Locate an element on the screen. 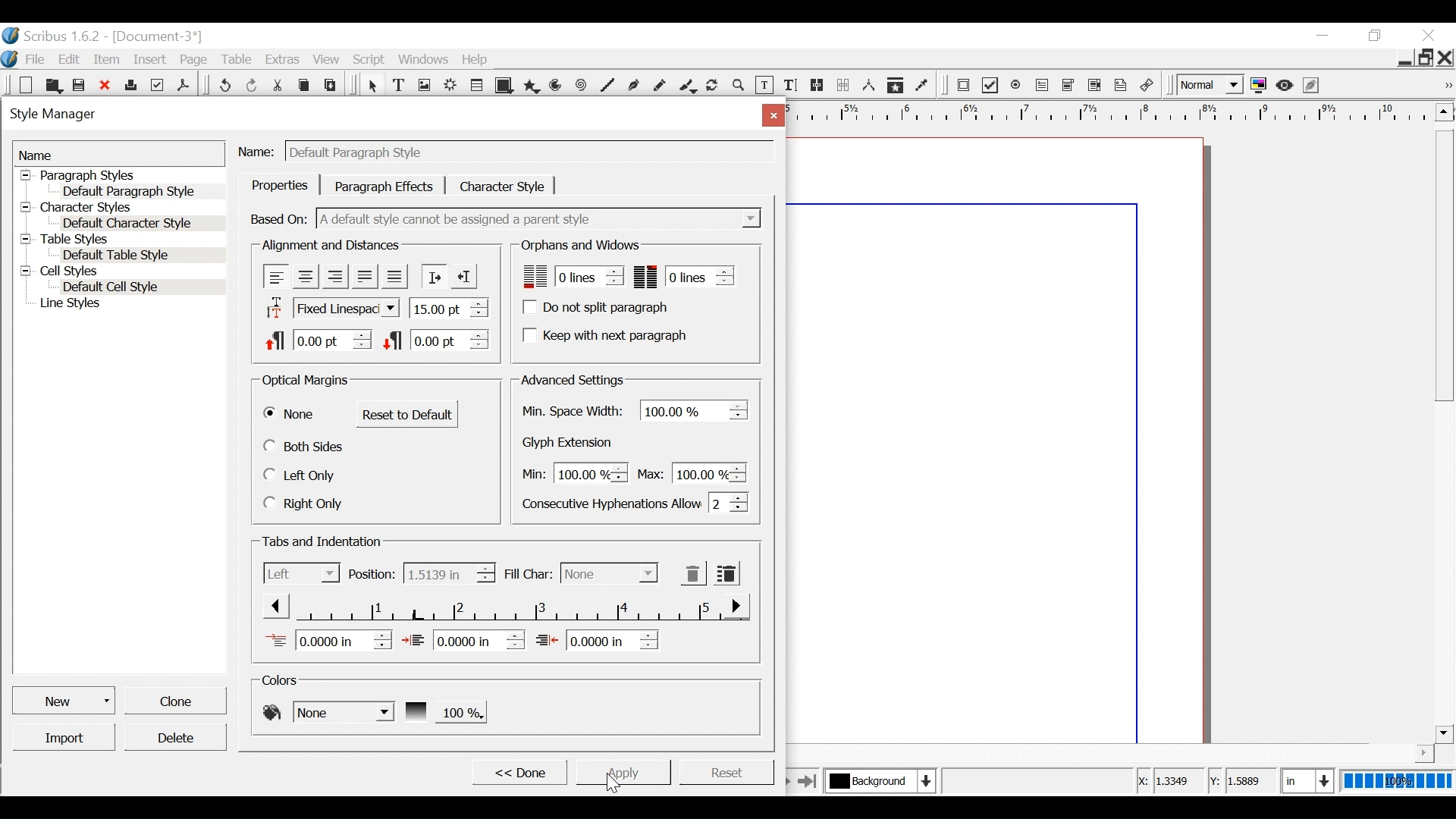 Image resolution: width=1456 pixels, height=819 pixels. Toggle color is located at coordinates (1260, 86).